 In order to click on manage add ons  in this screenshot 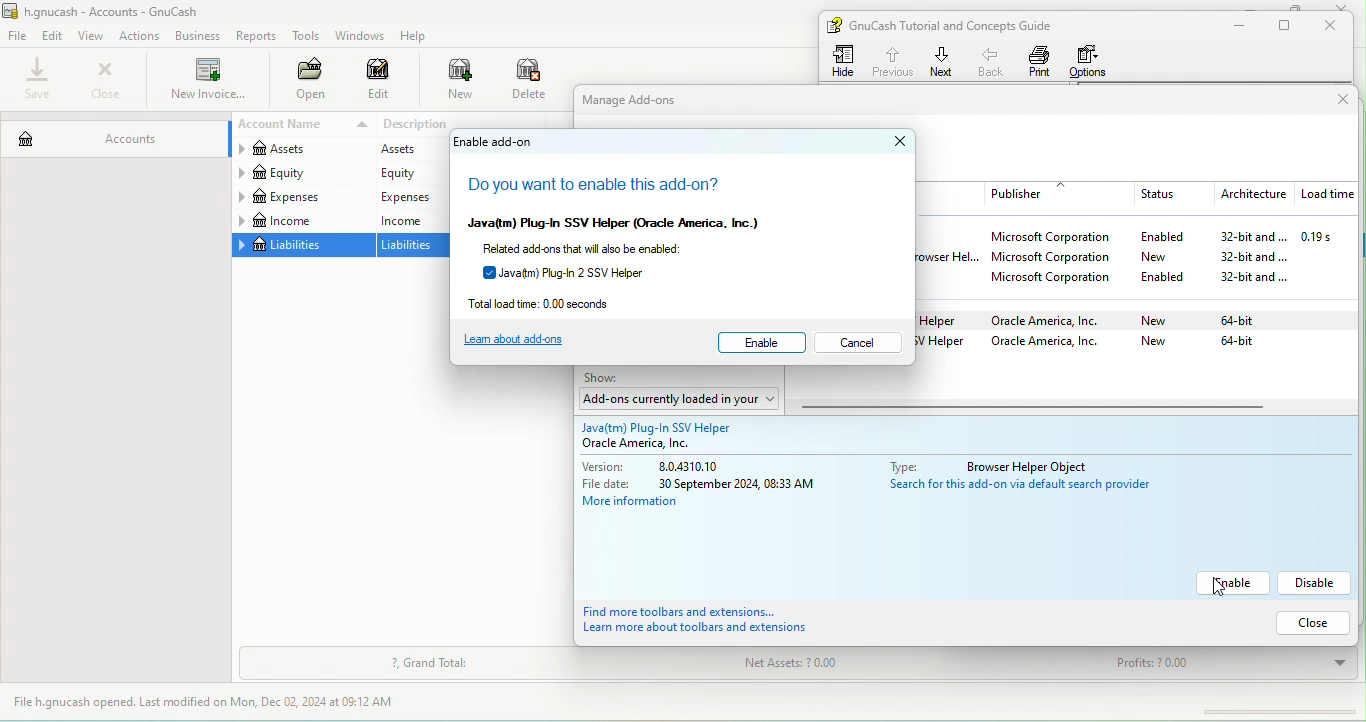, I will do `click(651, 102)`.